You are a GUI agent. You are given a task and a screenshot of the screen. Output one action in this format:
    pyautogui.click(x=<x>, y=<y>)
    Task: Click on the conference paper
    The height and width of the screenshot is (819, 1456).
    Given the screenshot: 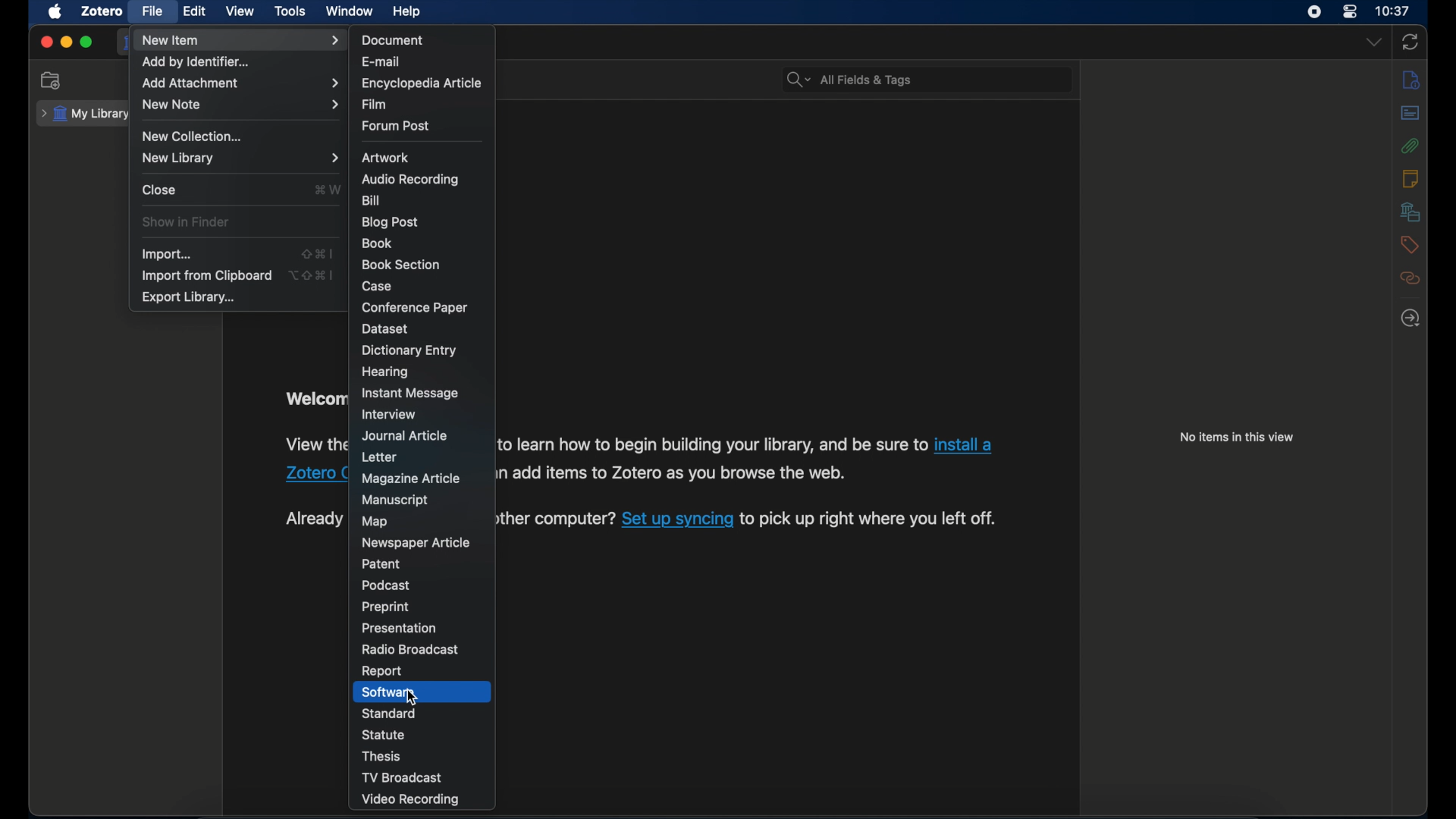 What is the action you would take?
    pyautogui.click(x=417, y=306)
    